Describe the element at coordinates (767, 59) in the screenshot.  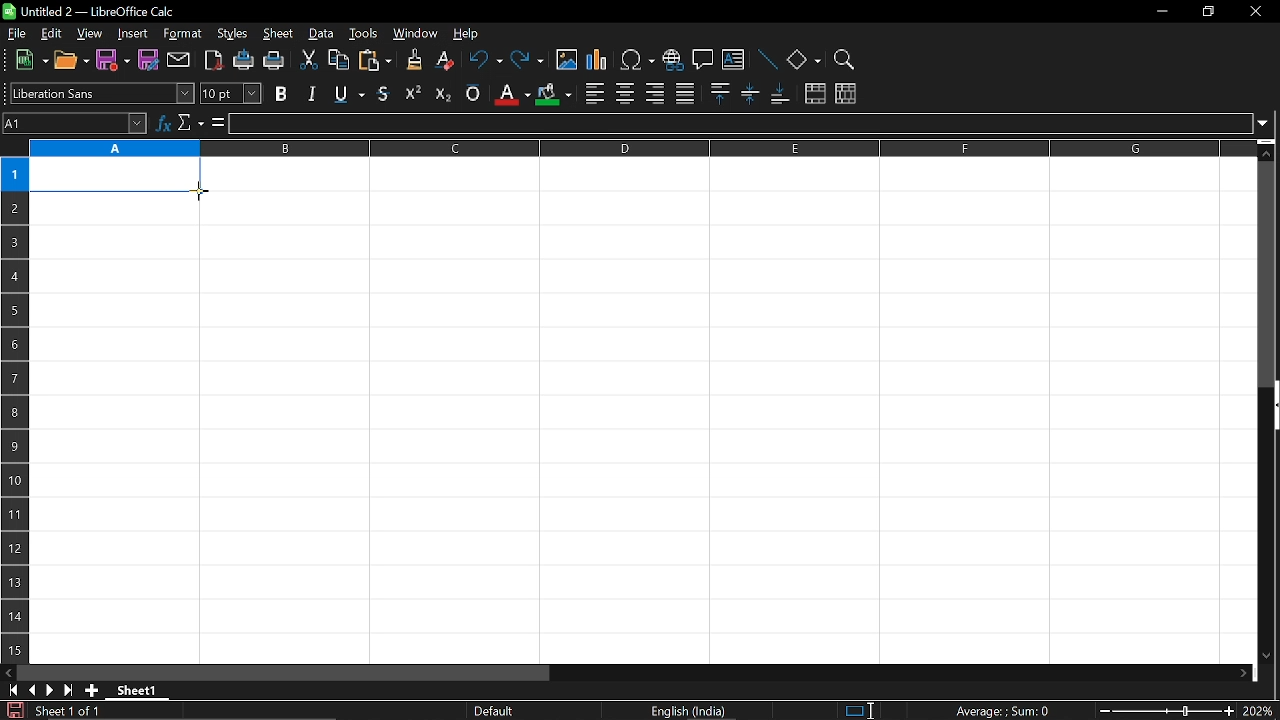
I see `line` at that location.